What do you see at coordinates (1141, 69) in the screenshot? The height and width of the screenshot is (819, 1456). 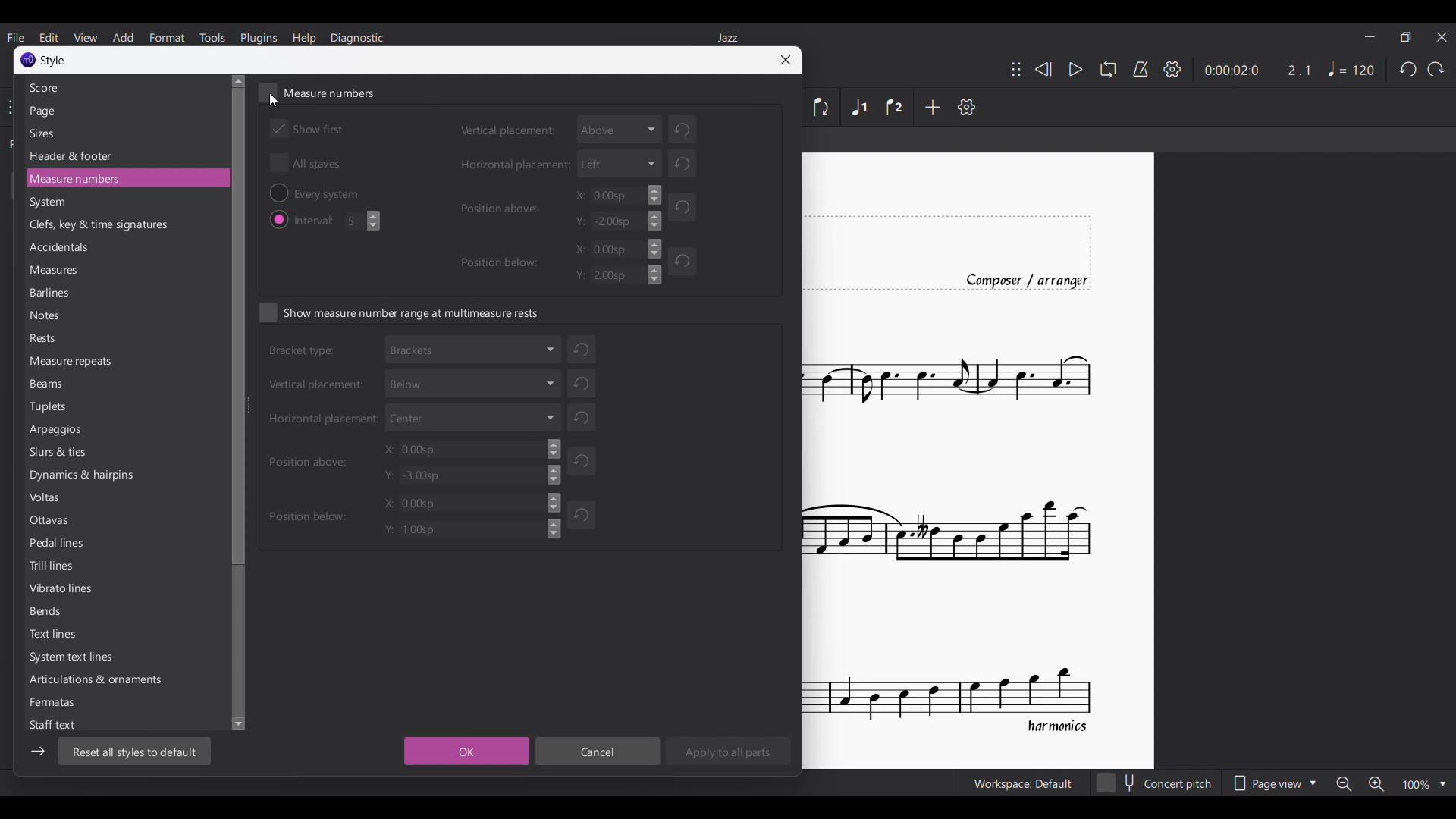 I see `Metronome` at bounding box center [1141, 69].